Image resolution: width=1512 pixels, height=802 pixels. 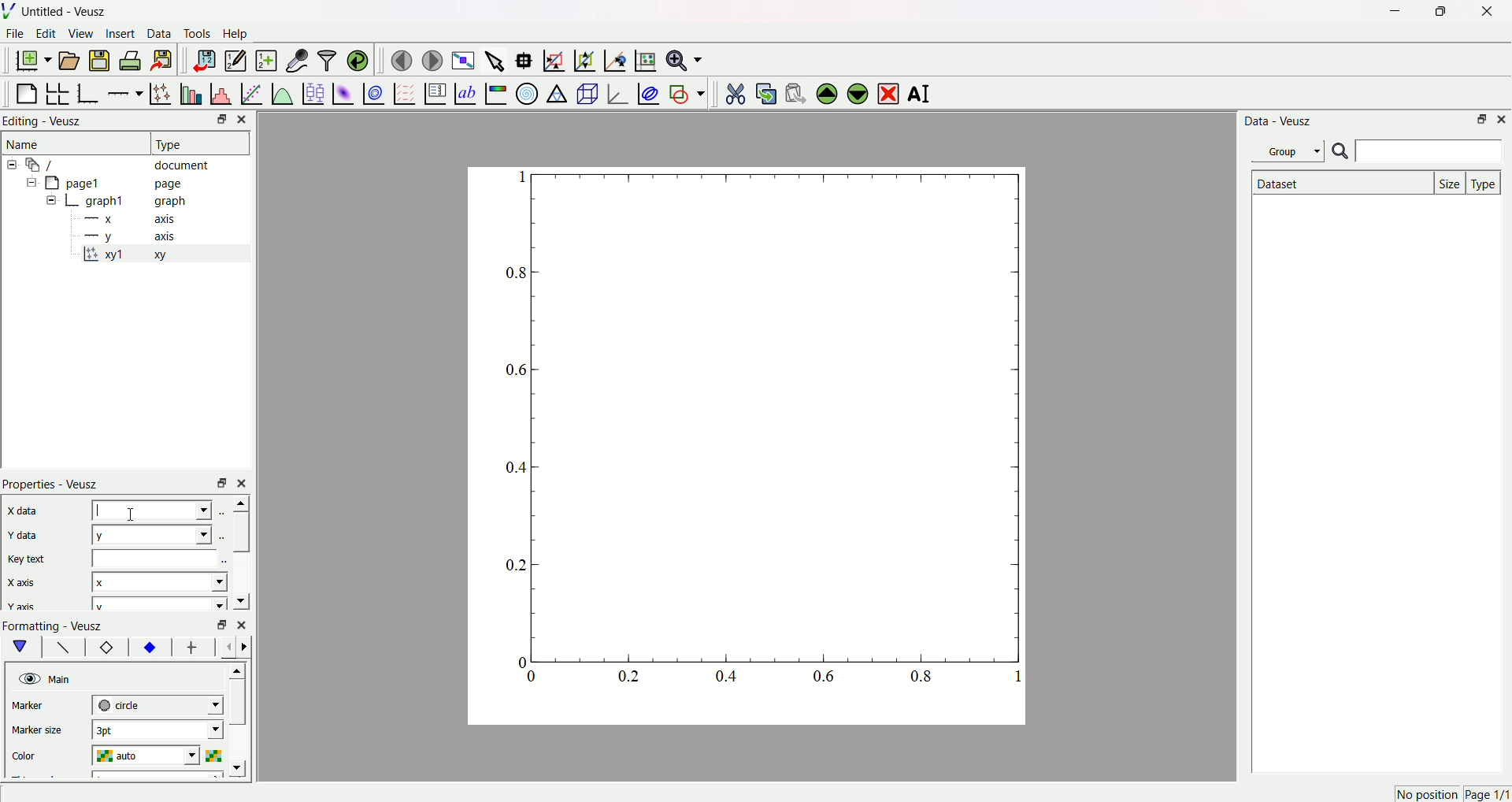 I want to click on hide/unhide, so click(x=28, y=678).